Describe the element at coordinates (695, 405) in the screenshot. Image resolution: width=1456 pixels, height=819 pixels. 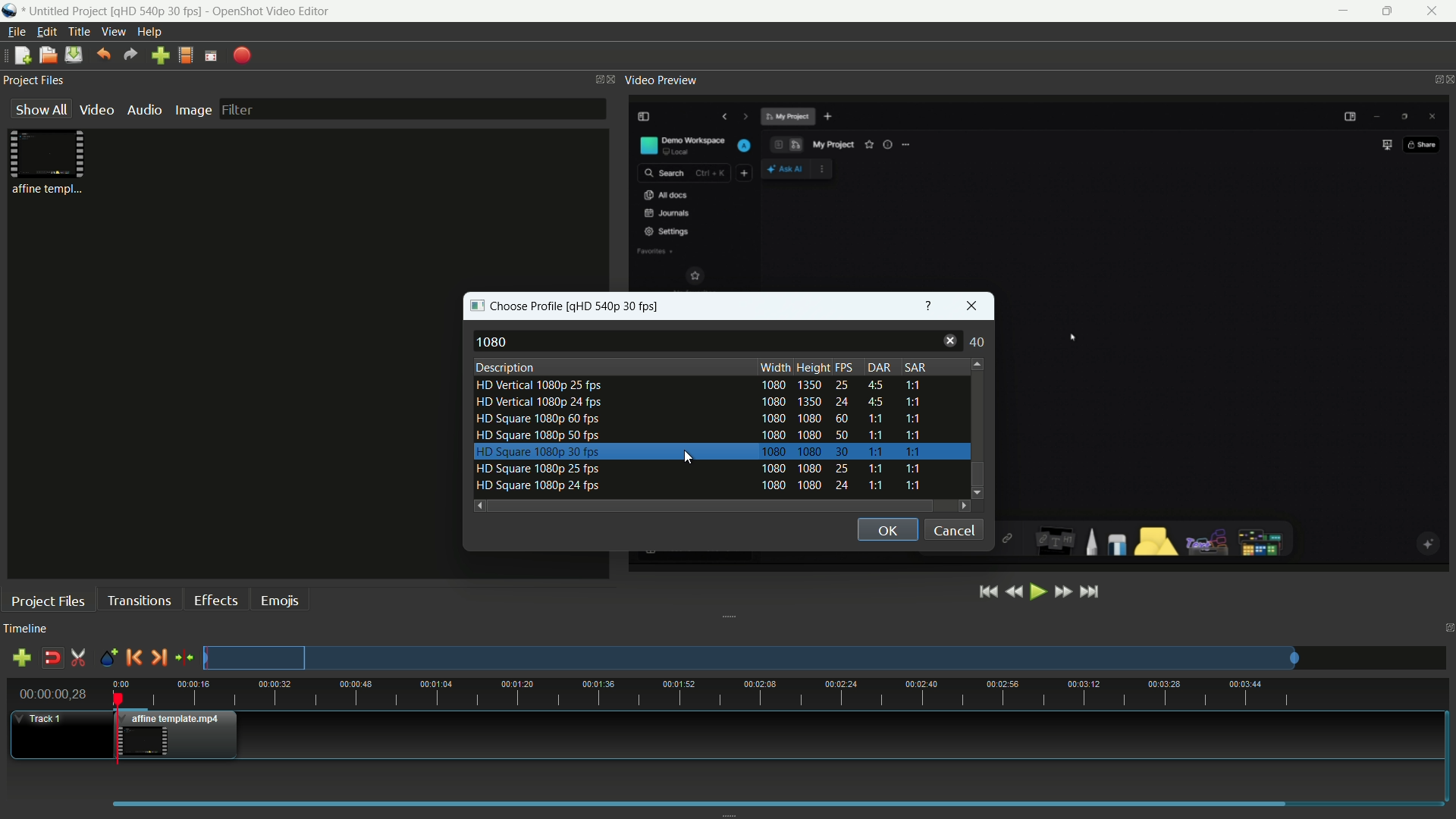
I see `profile-2` at that location.